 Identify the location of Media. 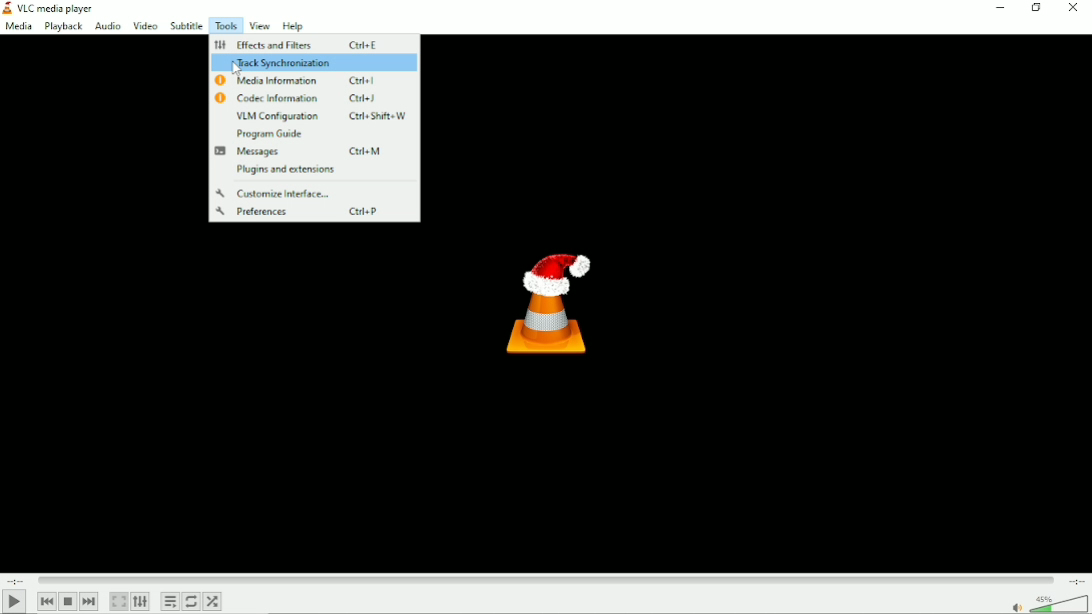
(18, 27).